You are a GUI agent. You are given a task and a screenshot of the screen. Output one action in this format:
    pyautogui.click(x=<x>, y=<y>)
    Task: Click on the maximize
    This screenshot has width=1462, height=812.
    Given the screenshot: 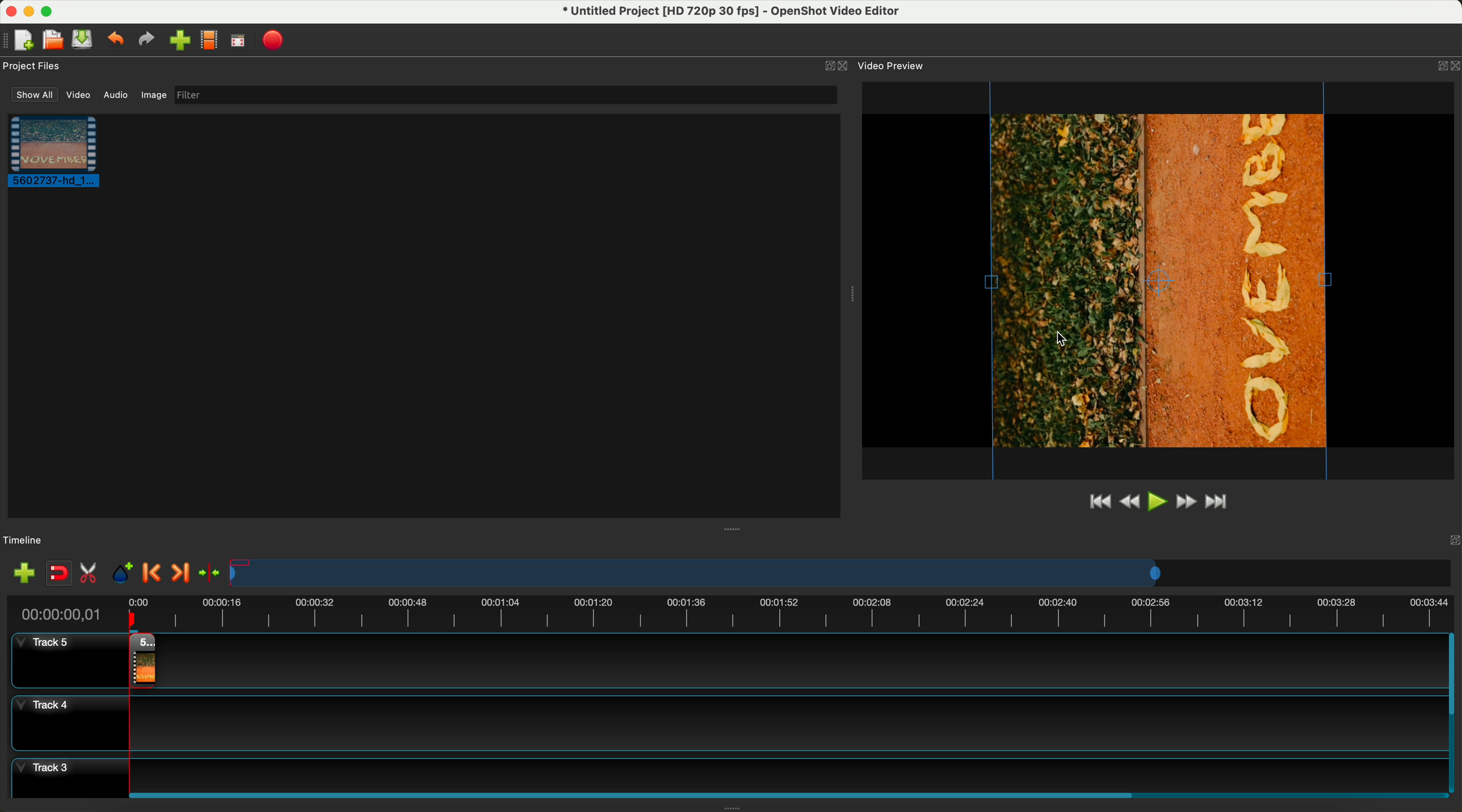 What is the action you would take?
    pyautogui.click(x=50, y=11)
    